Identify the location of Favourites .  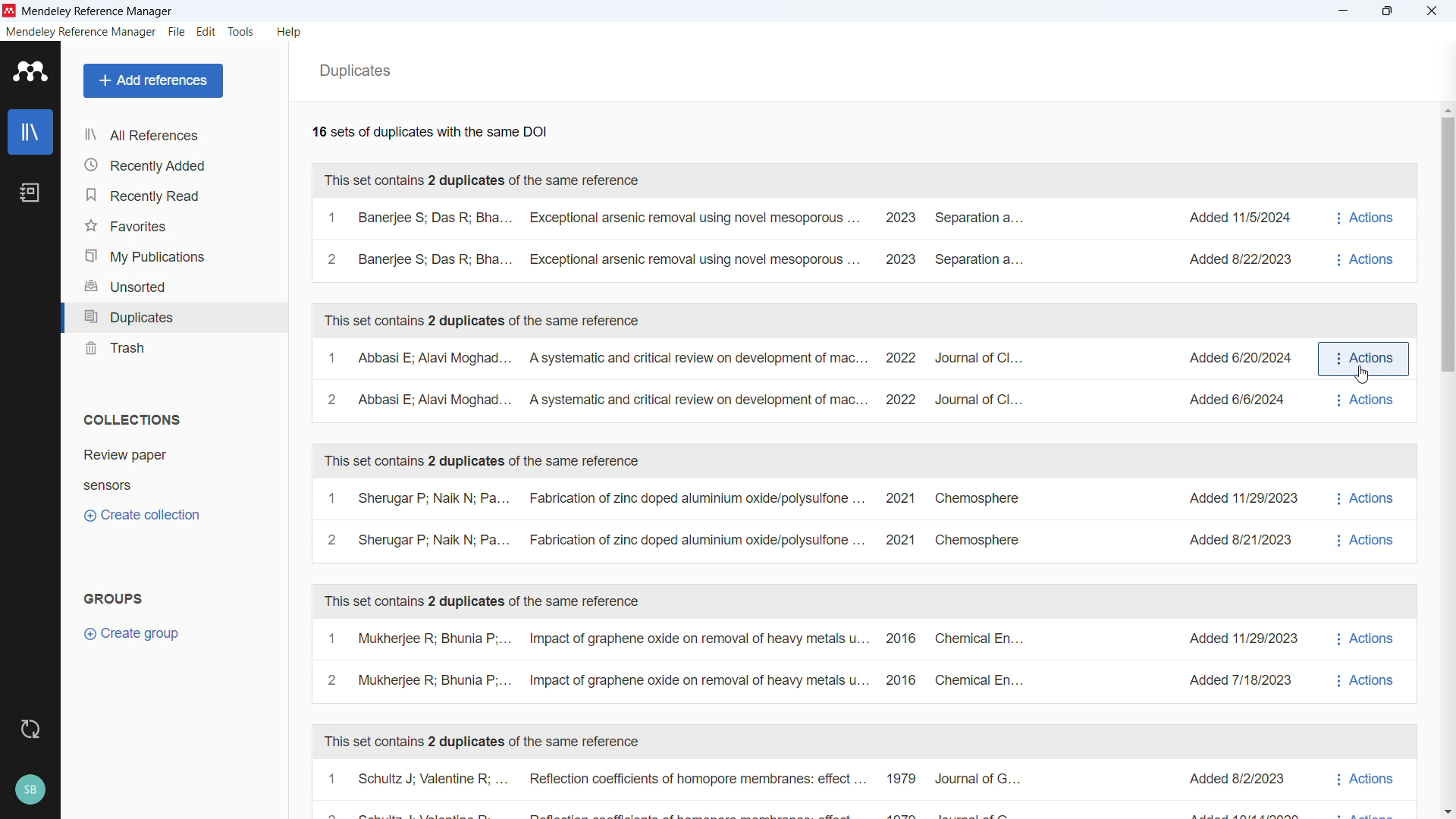
(173, 223).